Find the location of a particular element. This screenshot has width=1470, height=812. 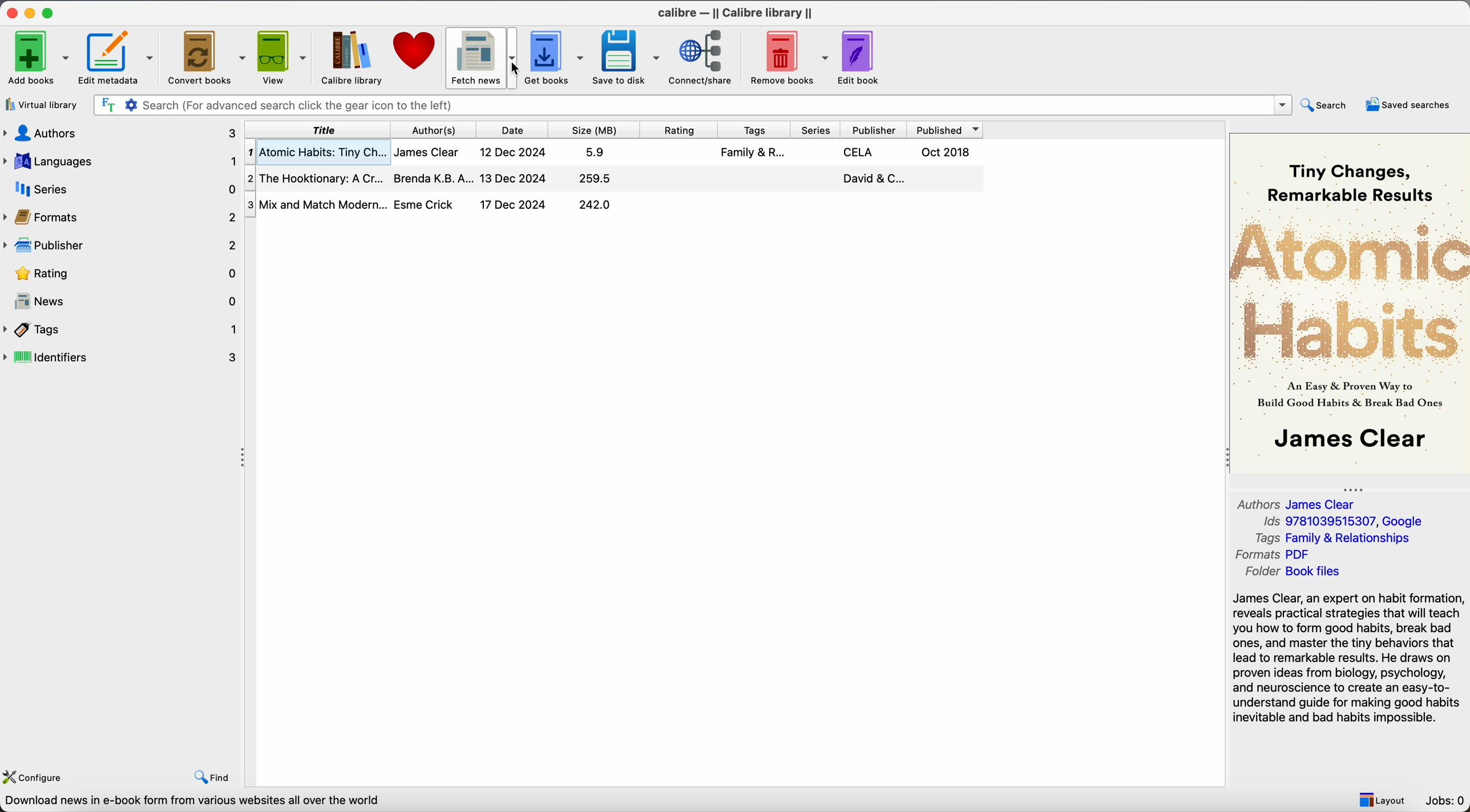

news is located at coordinates (122, 298).